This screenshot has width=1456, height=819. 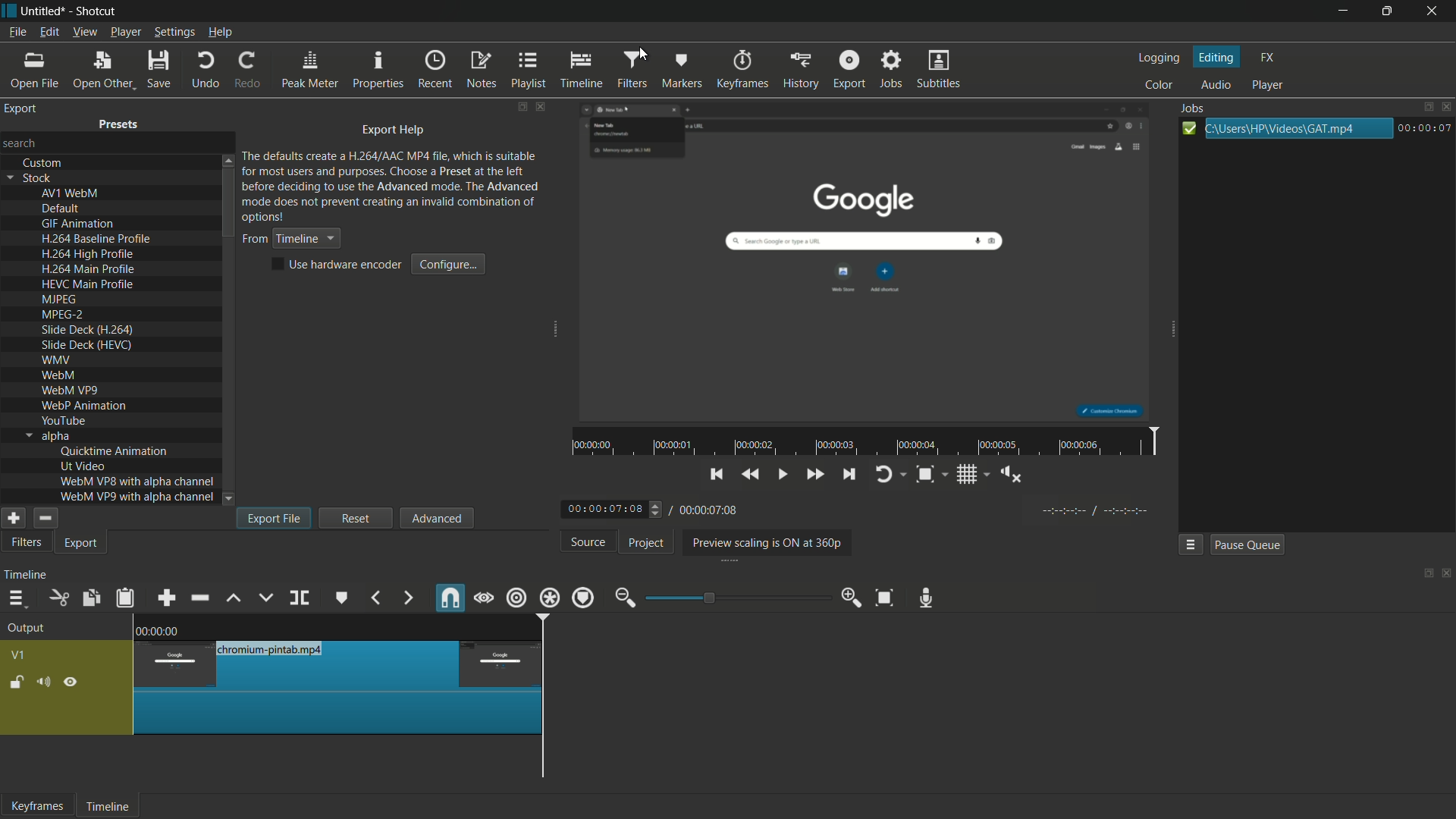 I want to click on organize, so click(x=20, y=110).